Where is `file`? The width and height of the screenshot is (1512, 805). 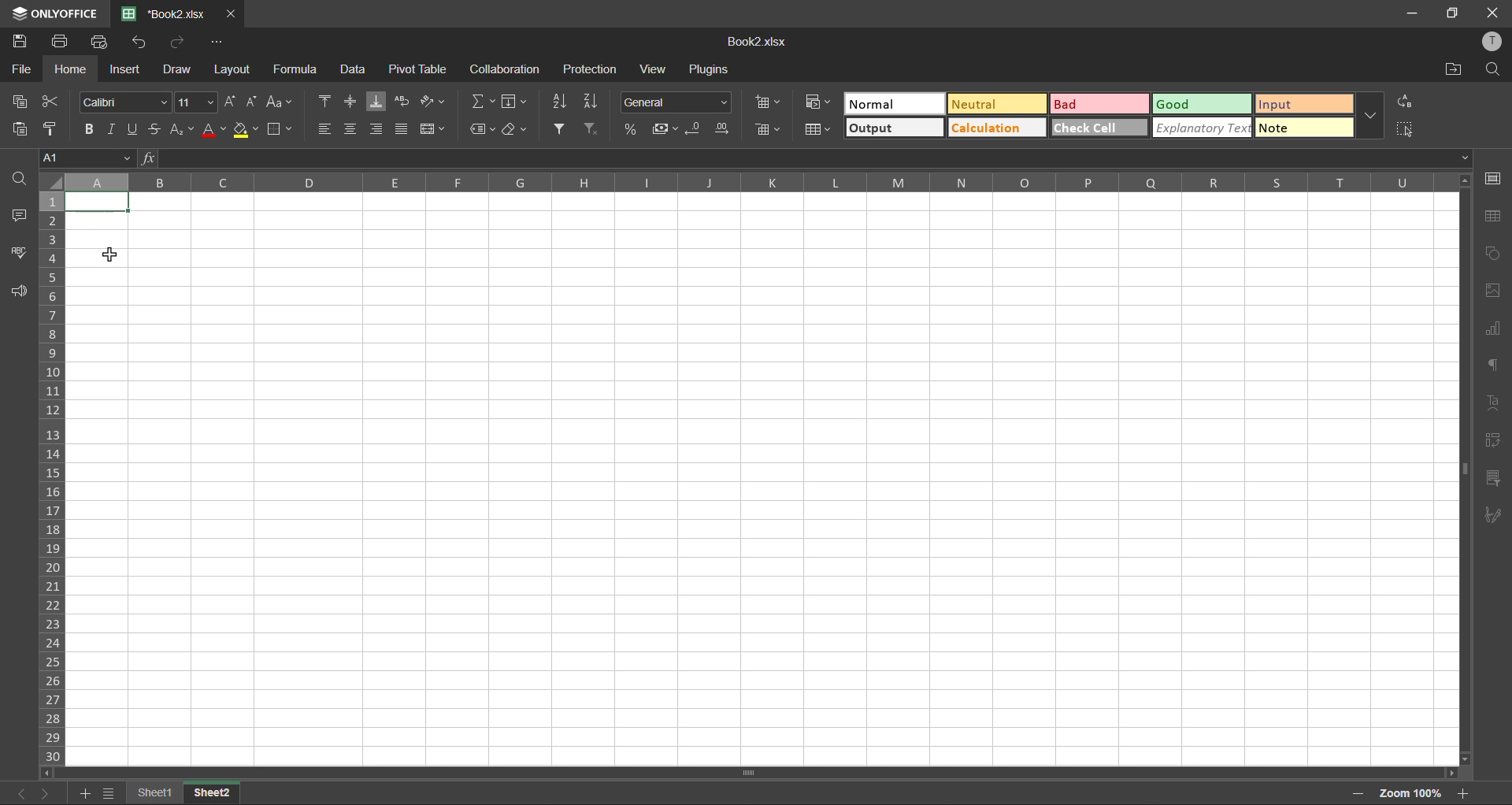 file is located at coordinates (22, 72).